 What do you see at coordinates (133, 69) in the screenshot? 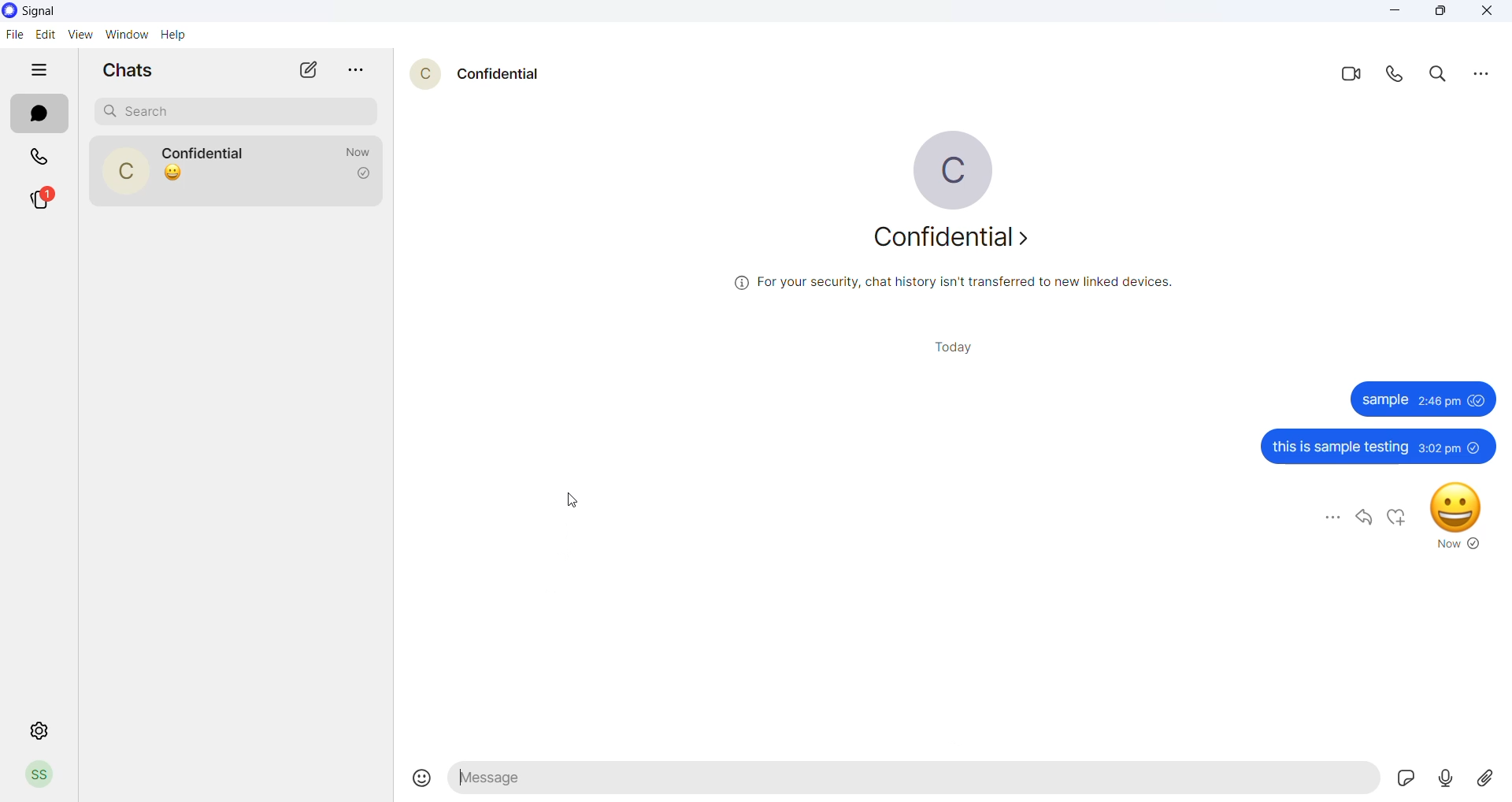
I see `chats heading` at bounding box center [133, 69].